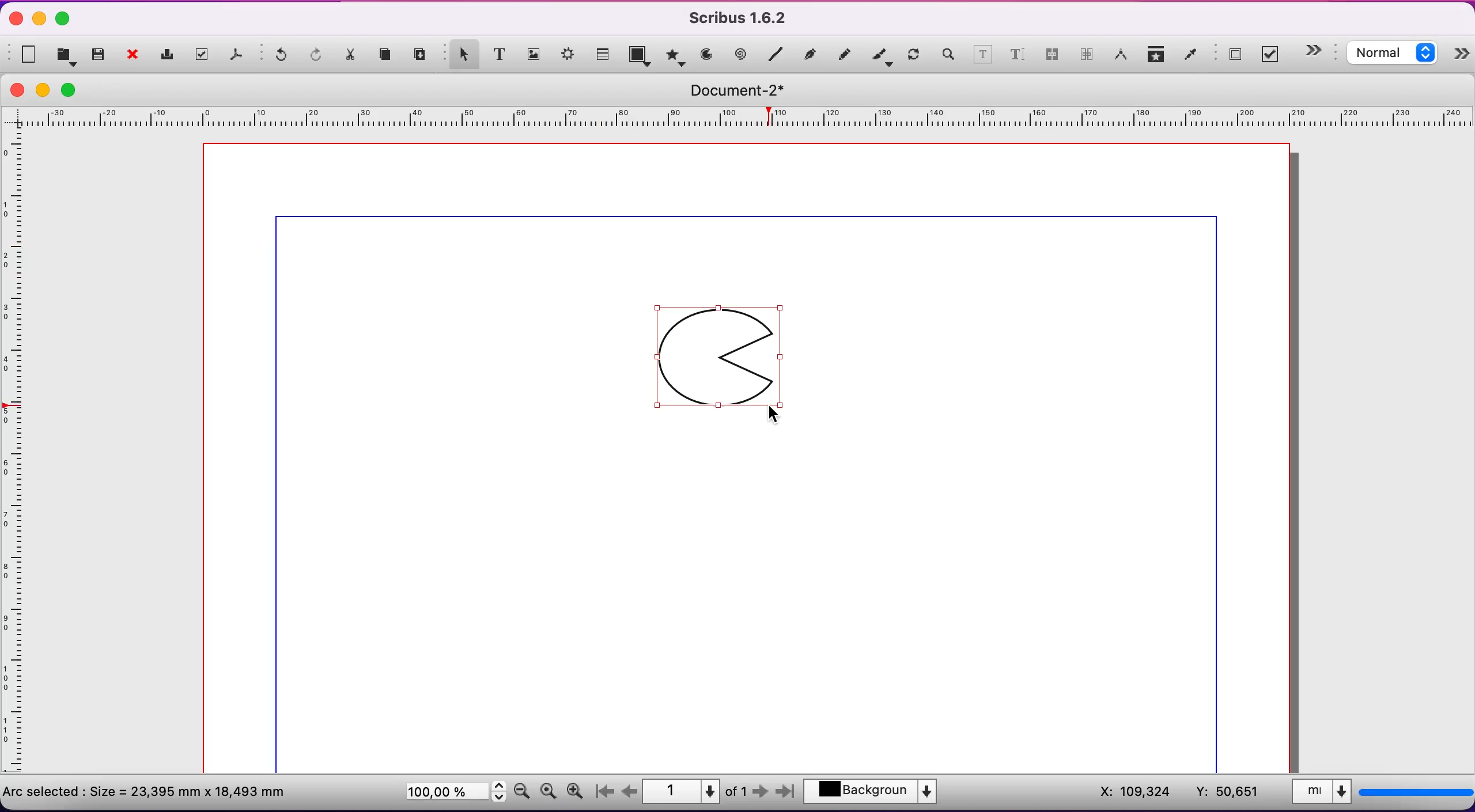 The height and width of the screenshot is (812, 1475). I want to click on close, so click(136, 56).